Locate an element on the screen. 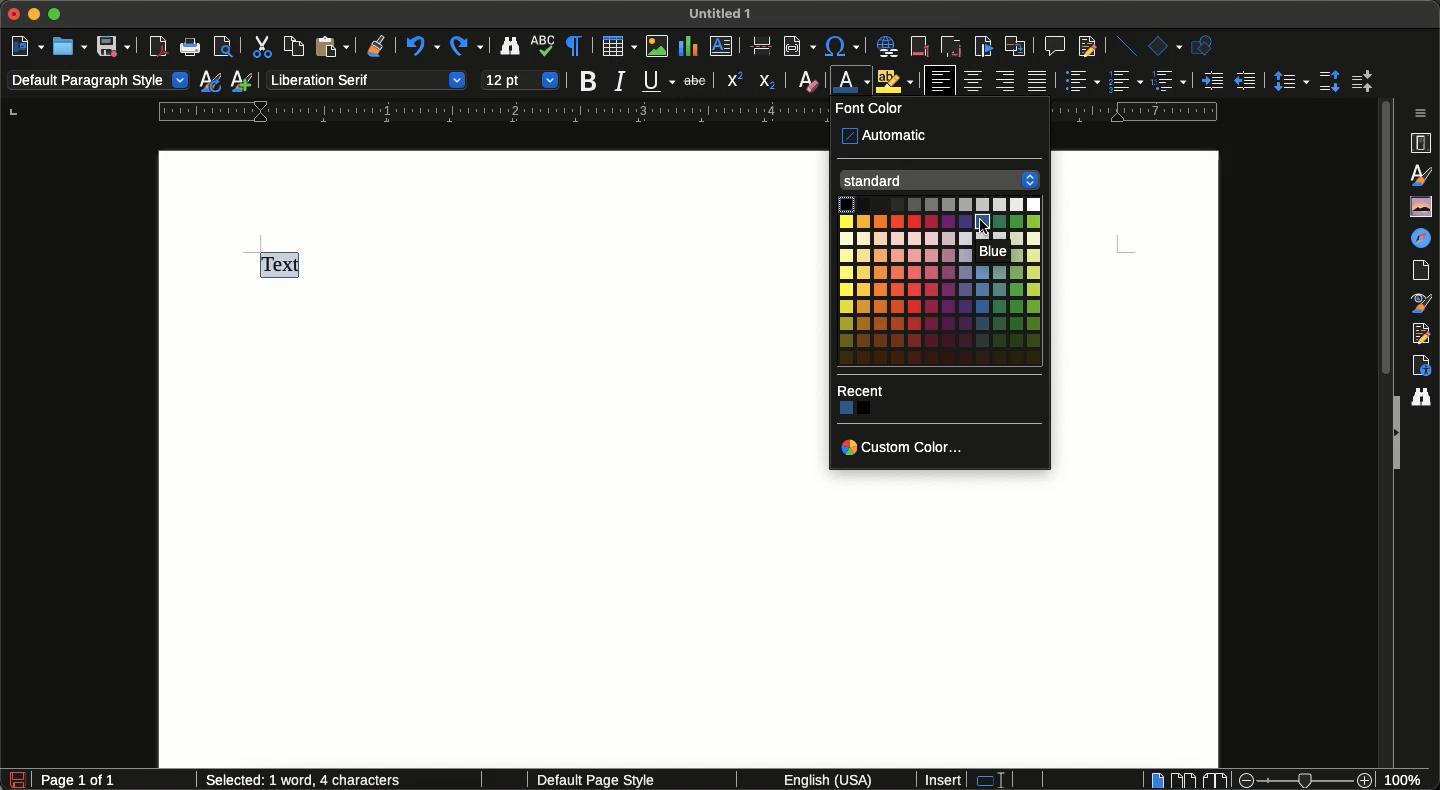 The width and height of the screenshot is (1440, 790). Show draw functions is located at coordinates (1207, 46).